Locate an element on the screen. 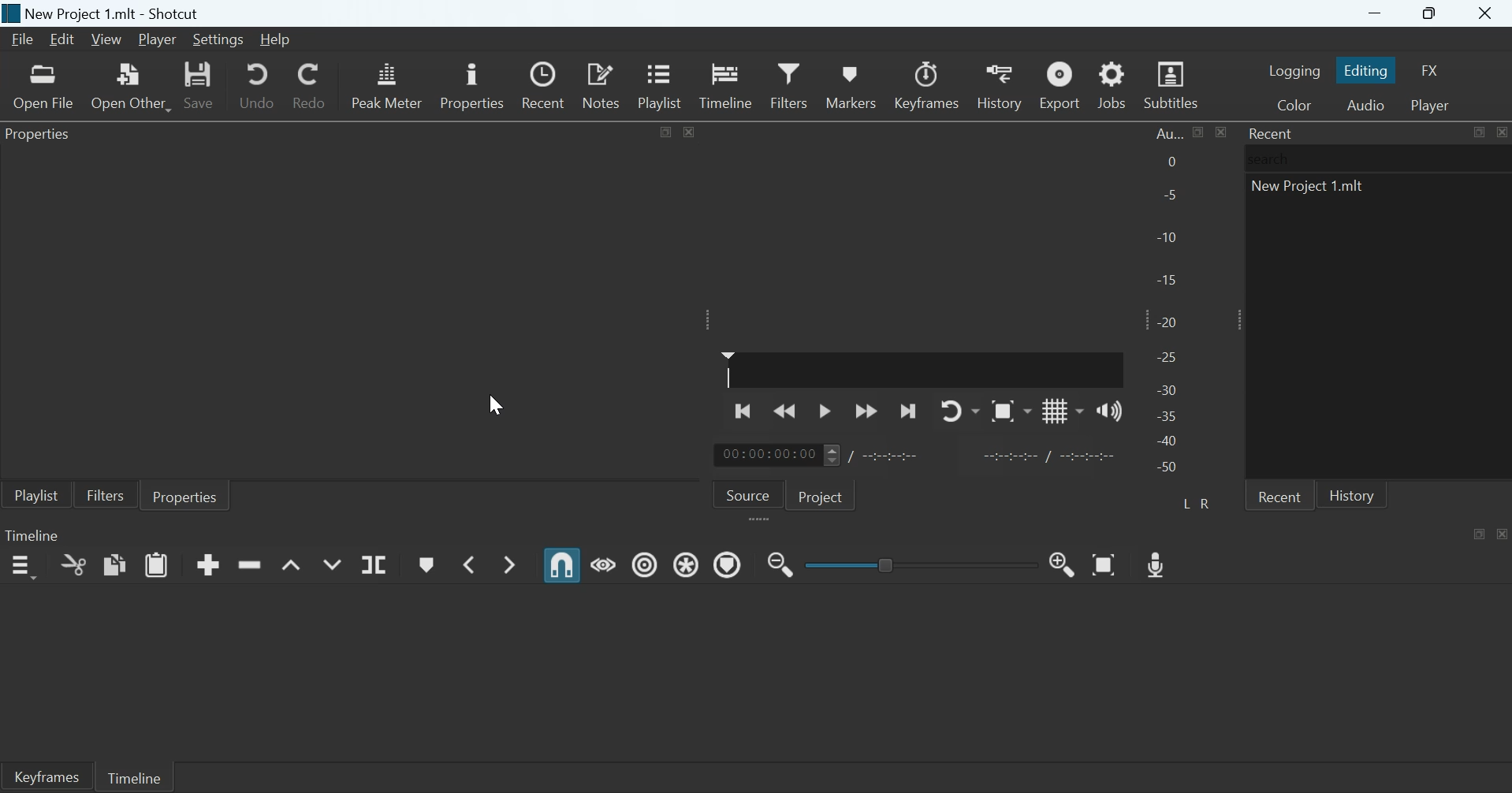  Filters is located at coordinates (788, 84).